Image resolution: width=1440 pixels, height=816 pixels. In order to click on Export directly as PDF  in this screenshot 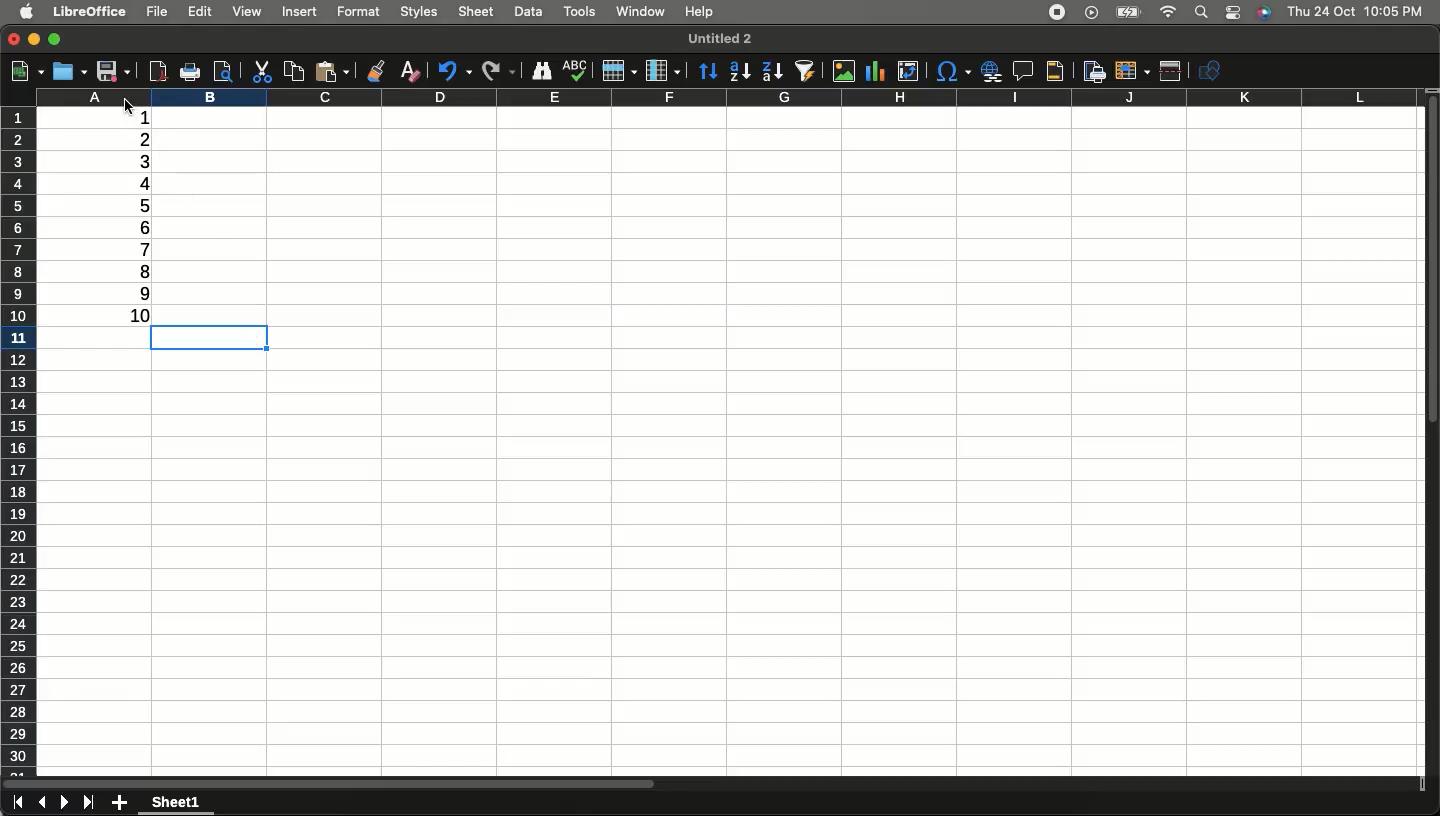, I will do `click(155, 70)`.